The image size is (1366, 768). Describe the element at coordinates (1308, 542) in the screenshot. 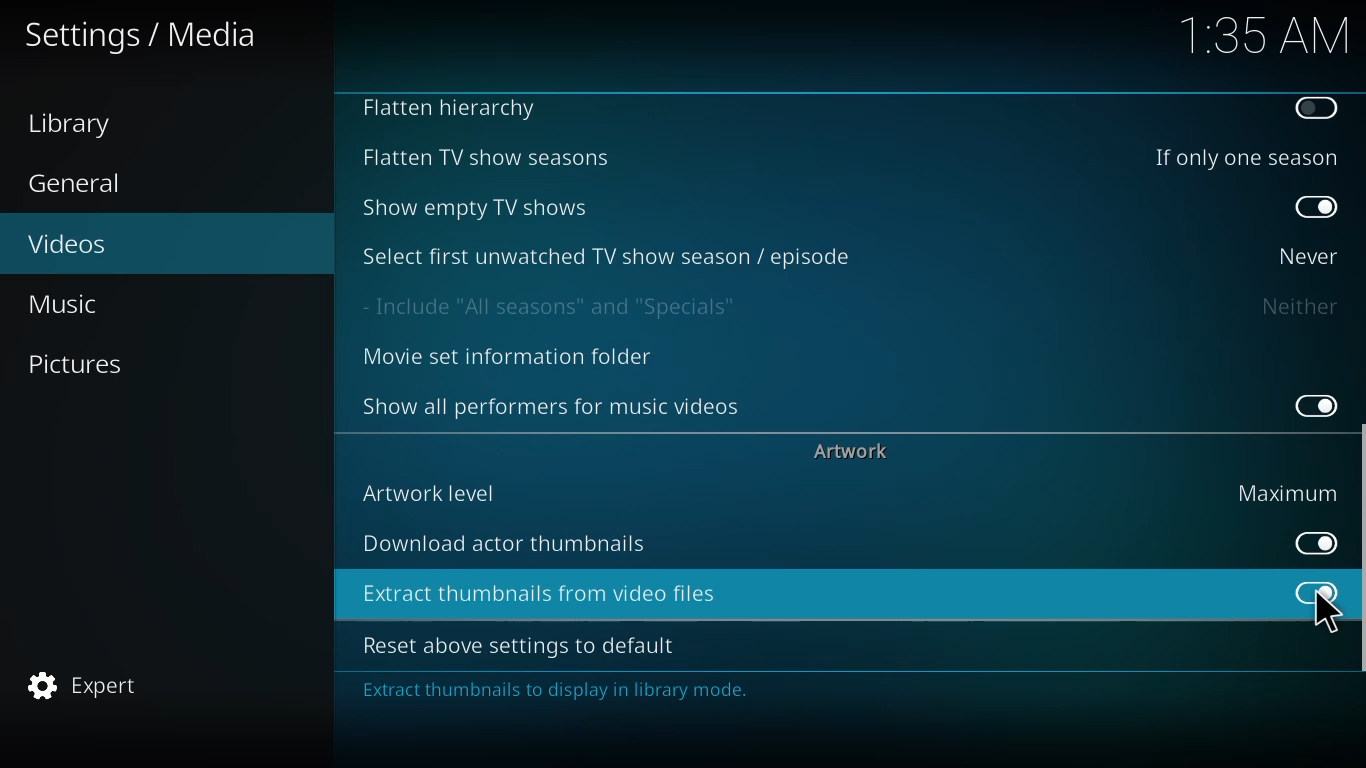

I see `enabled` at that location.